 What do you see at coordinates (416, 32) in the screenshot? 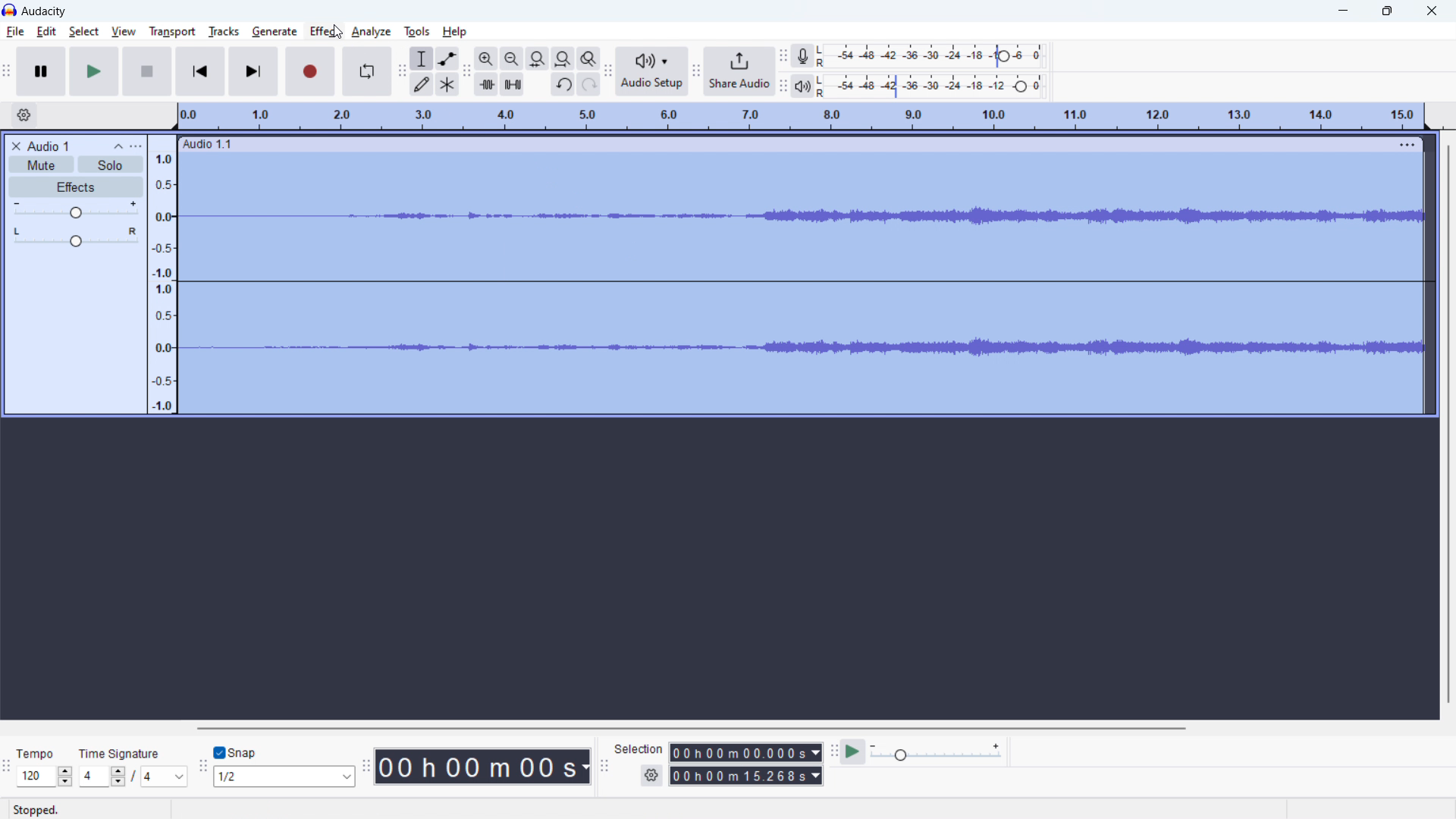
I see `tools` at bounding box center [416, 32].